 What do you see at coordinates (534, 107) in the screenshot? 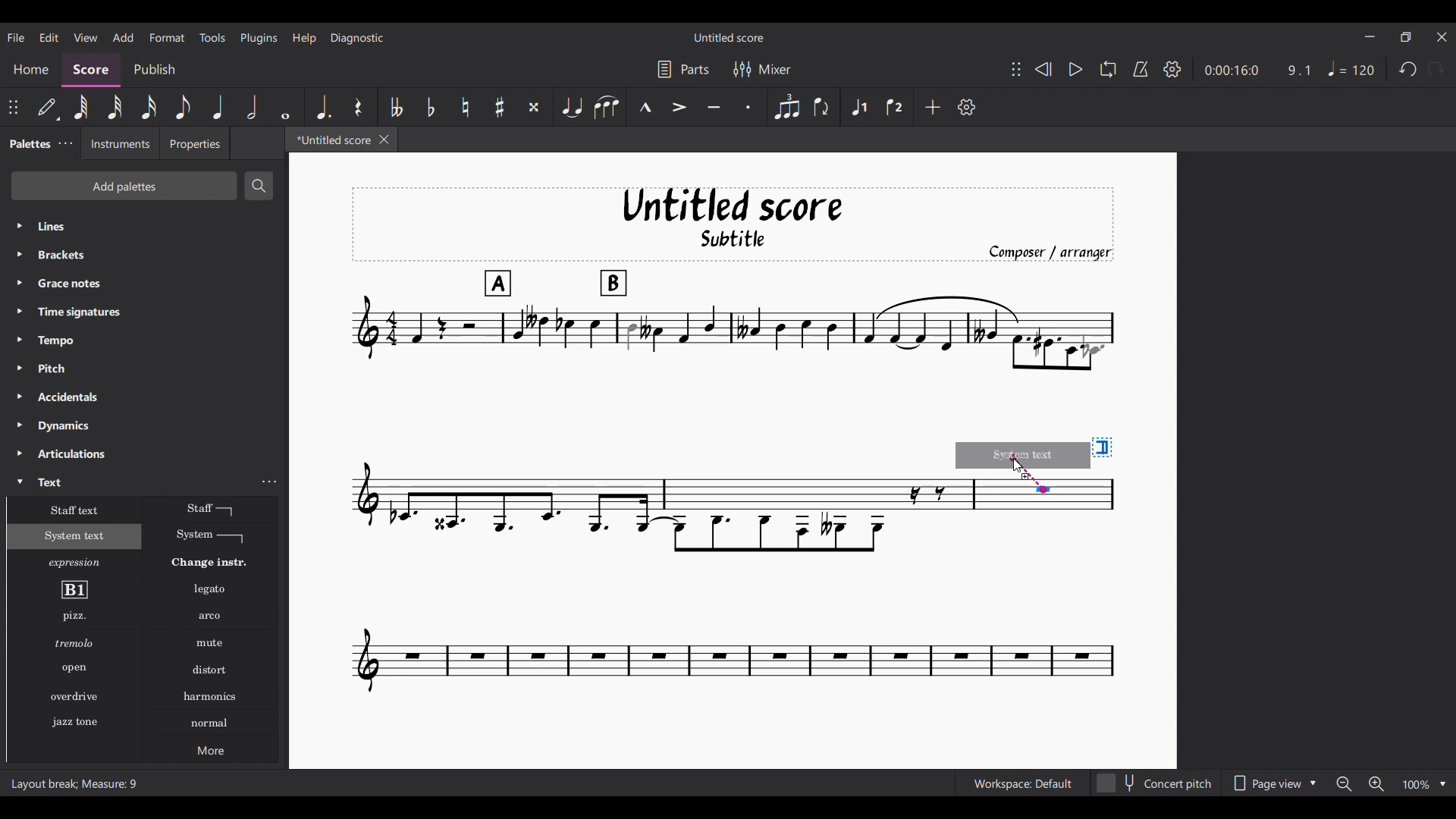
I see `Toggle double sharp` at bounding box center [534, 107].